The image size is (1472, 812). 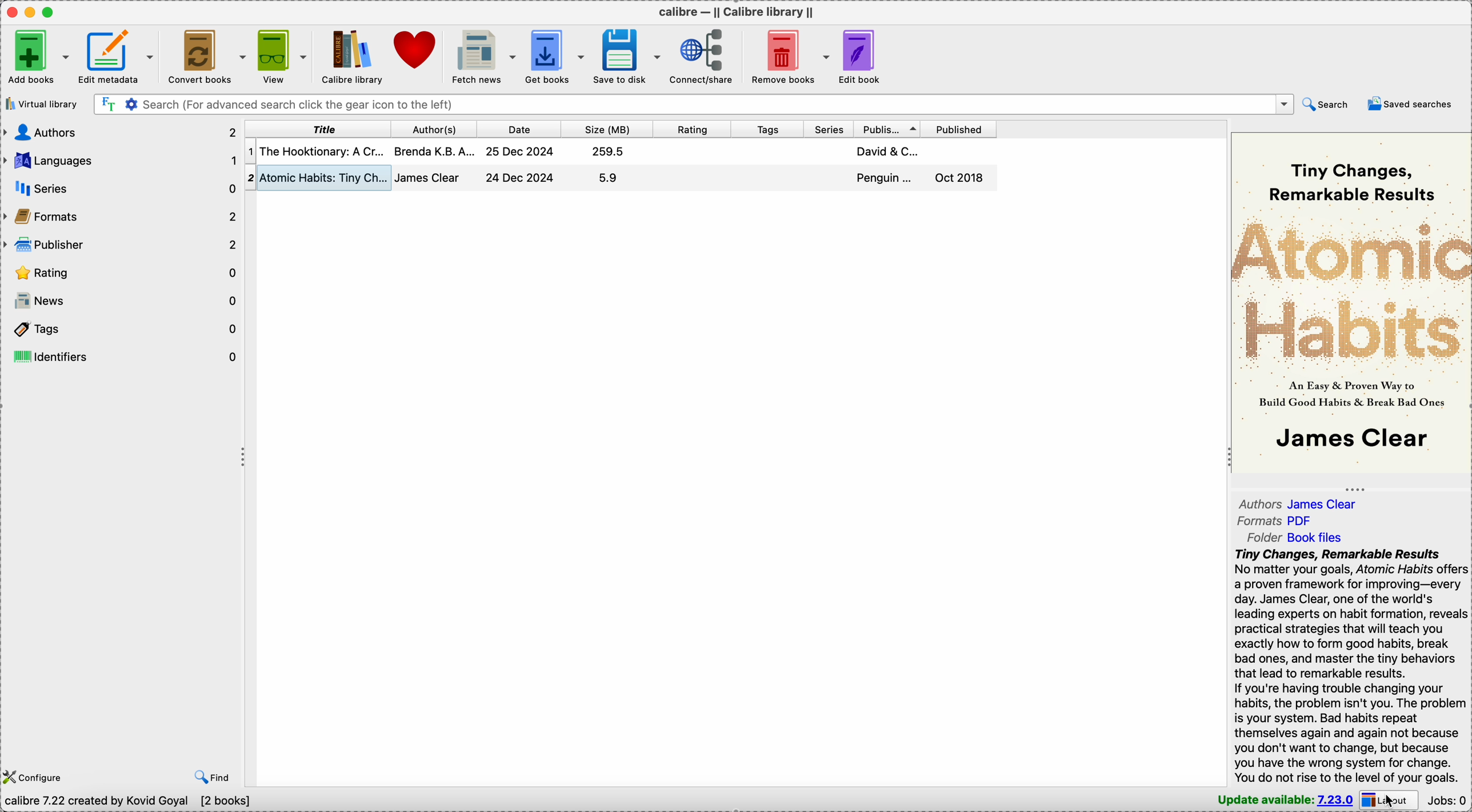 What do you see at coordinates (37, 58) in the screenshot?
I see `Add books` at bounding box center [37, 58].